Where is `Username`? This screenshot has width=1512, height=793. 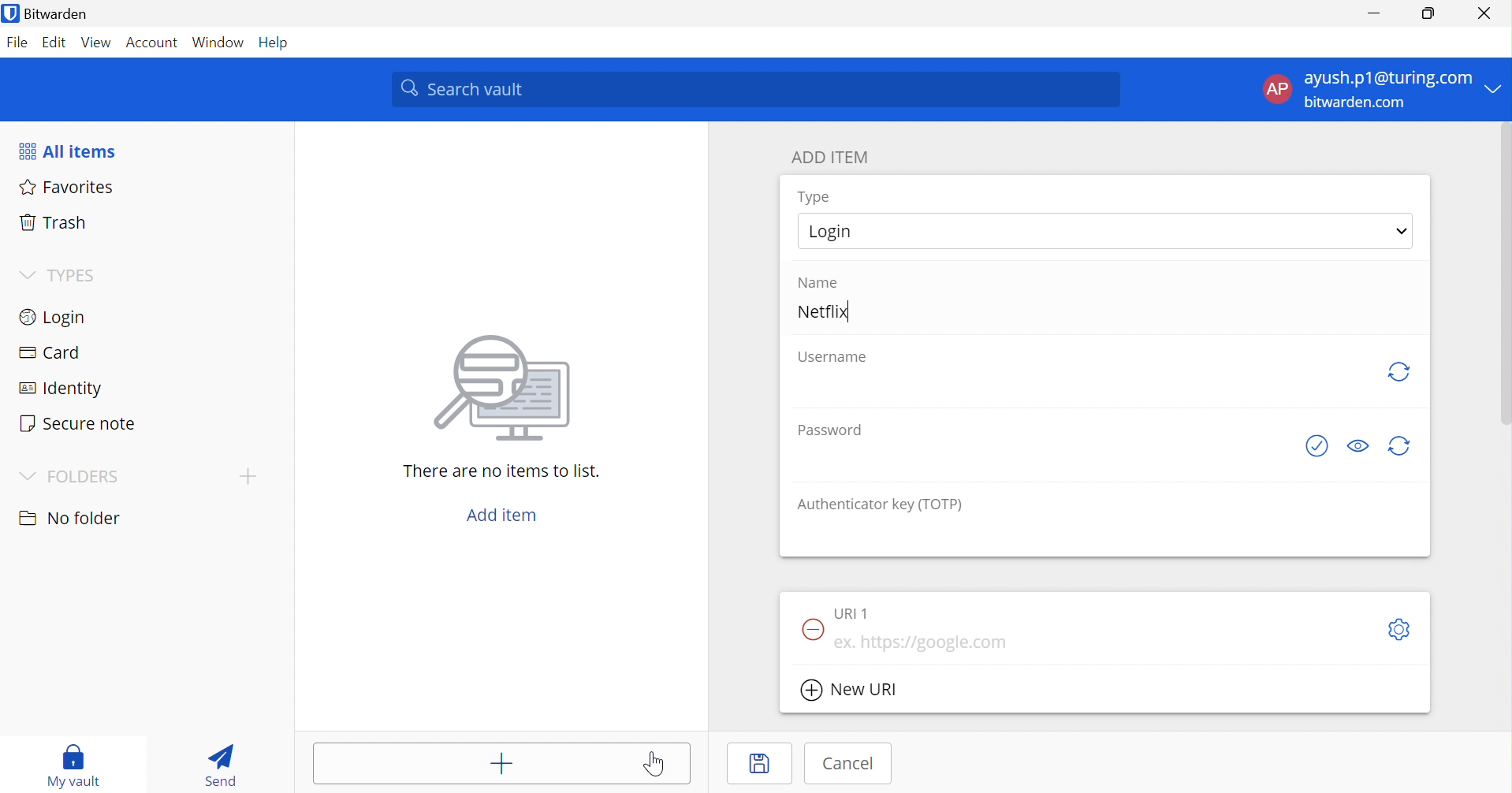 Username is located at coordinates (833, 358).